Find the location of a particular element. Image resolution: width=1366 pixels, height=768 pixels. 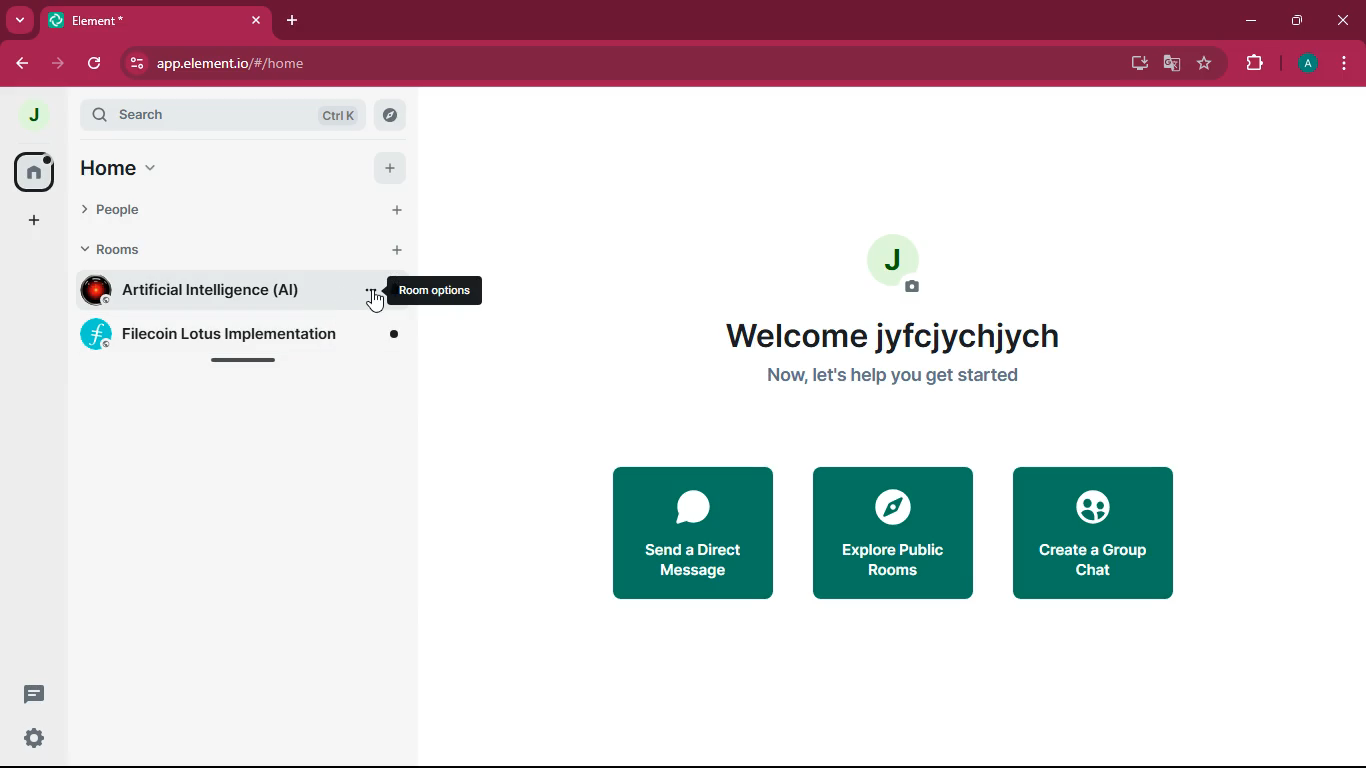

people is located at coordinates (134, 213).